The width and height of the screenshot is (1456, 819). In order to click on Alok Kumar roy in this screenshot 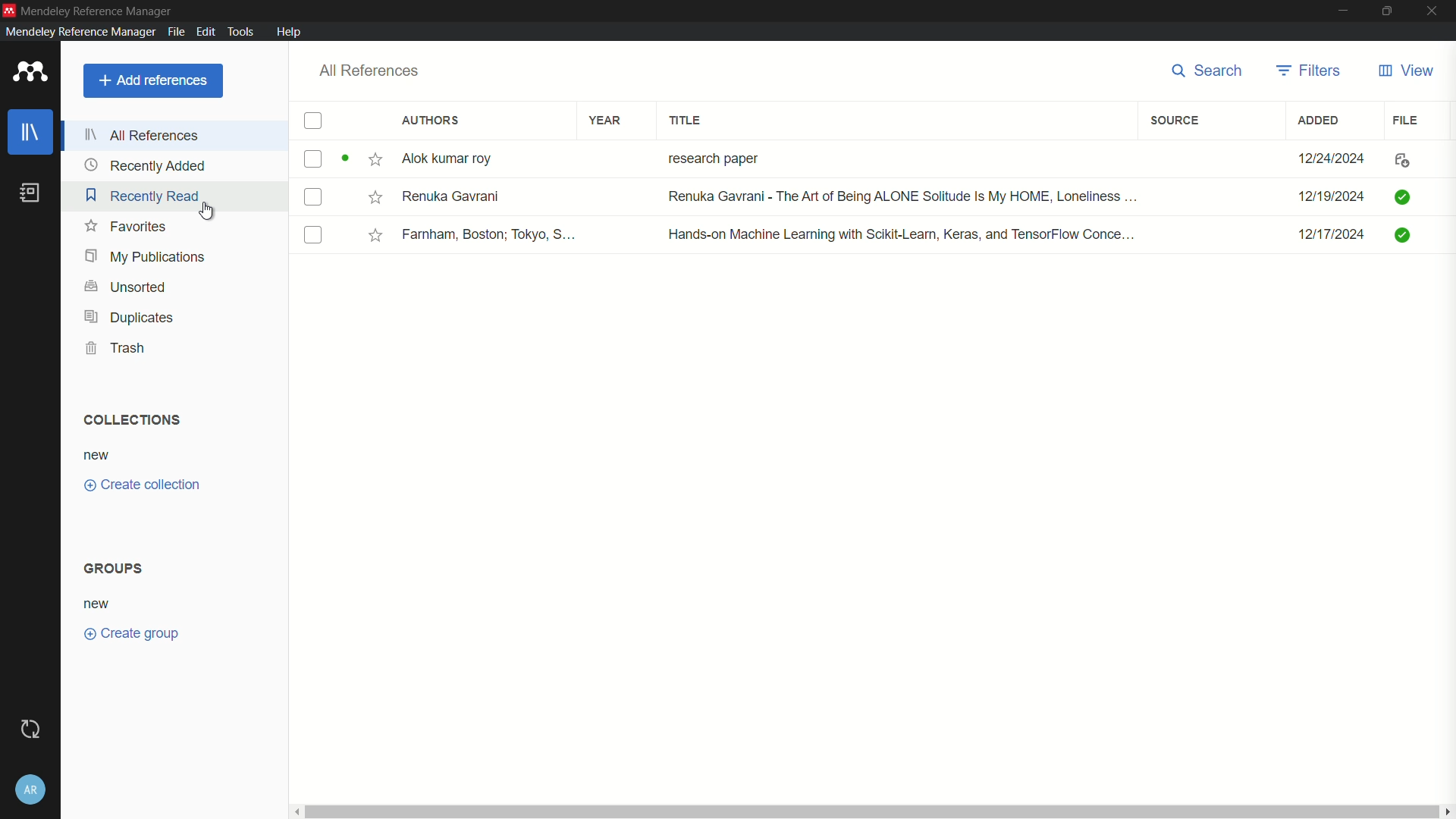, I will do `click(475, 158)`.